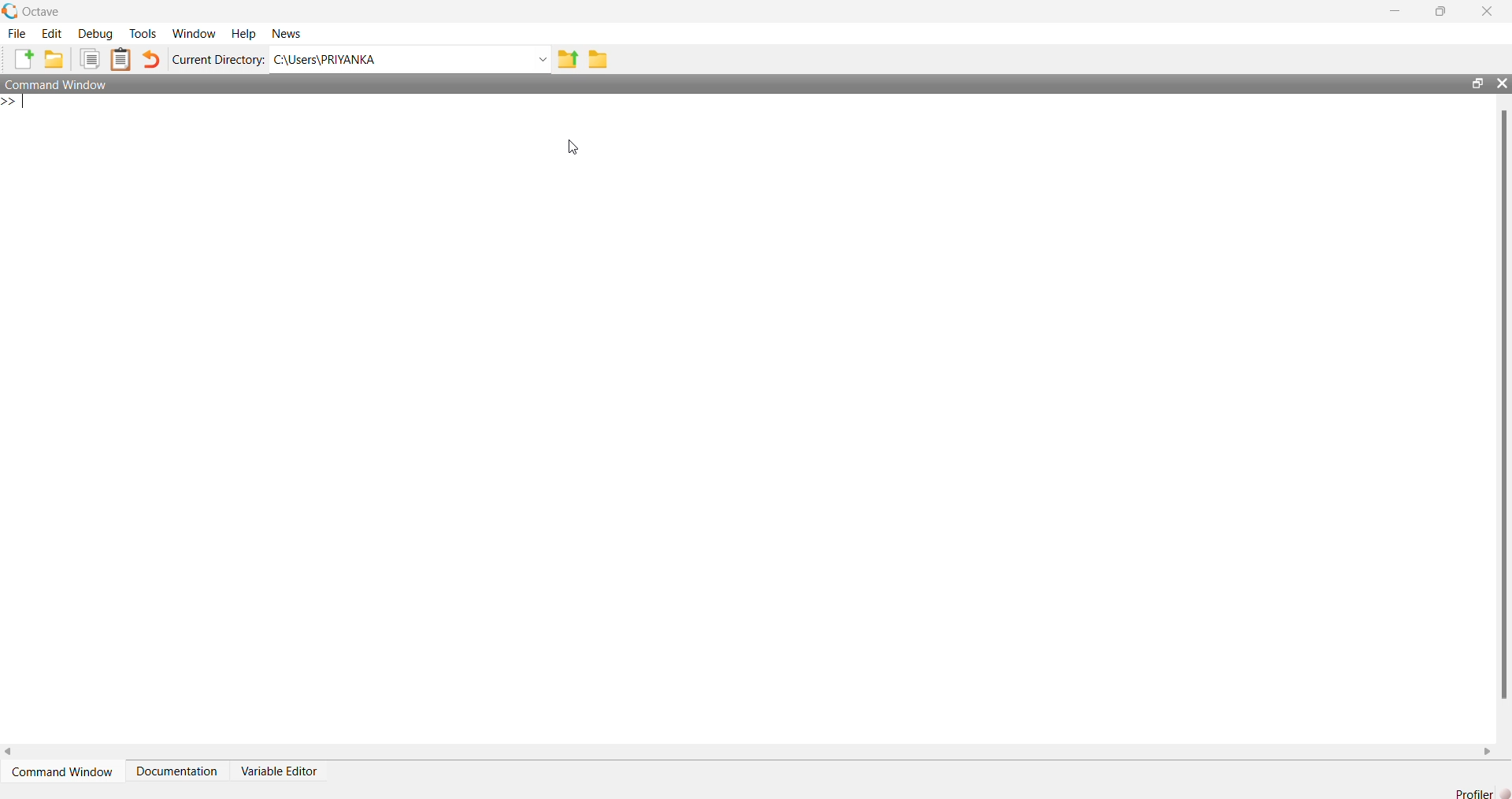  I want to click on Tools, so click(143, 32).